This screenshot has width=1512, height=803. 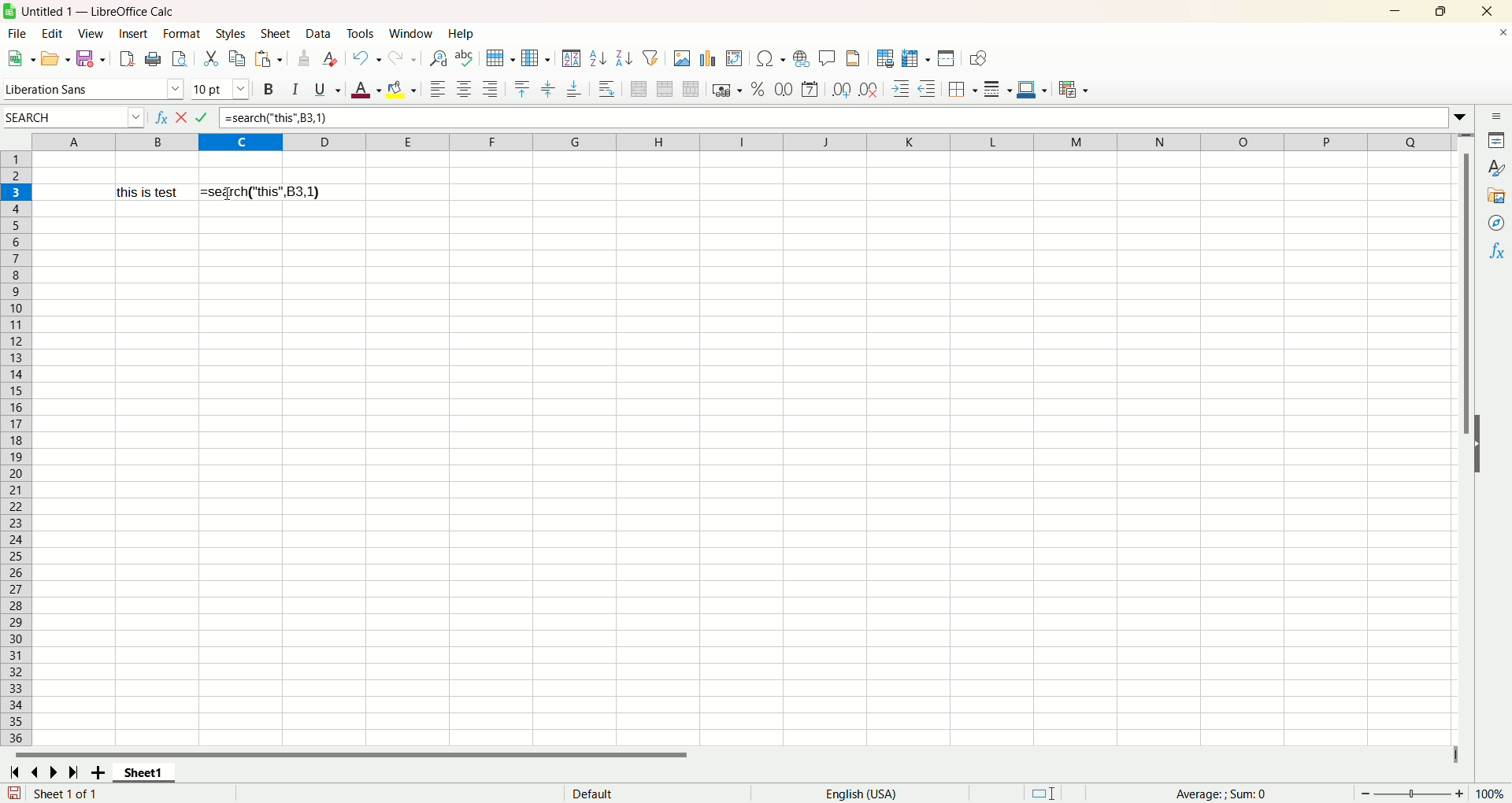 I want to click on sort ascending, so click(x=595, y=58).